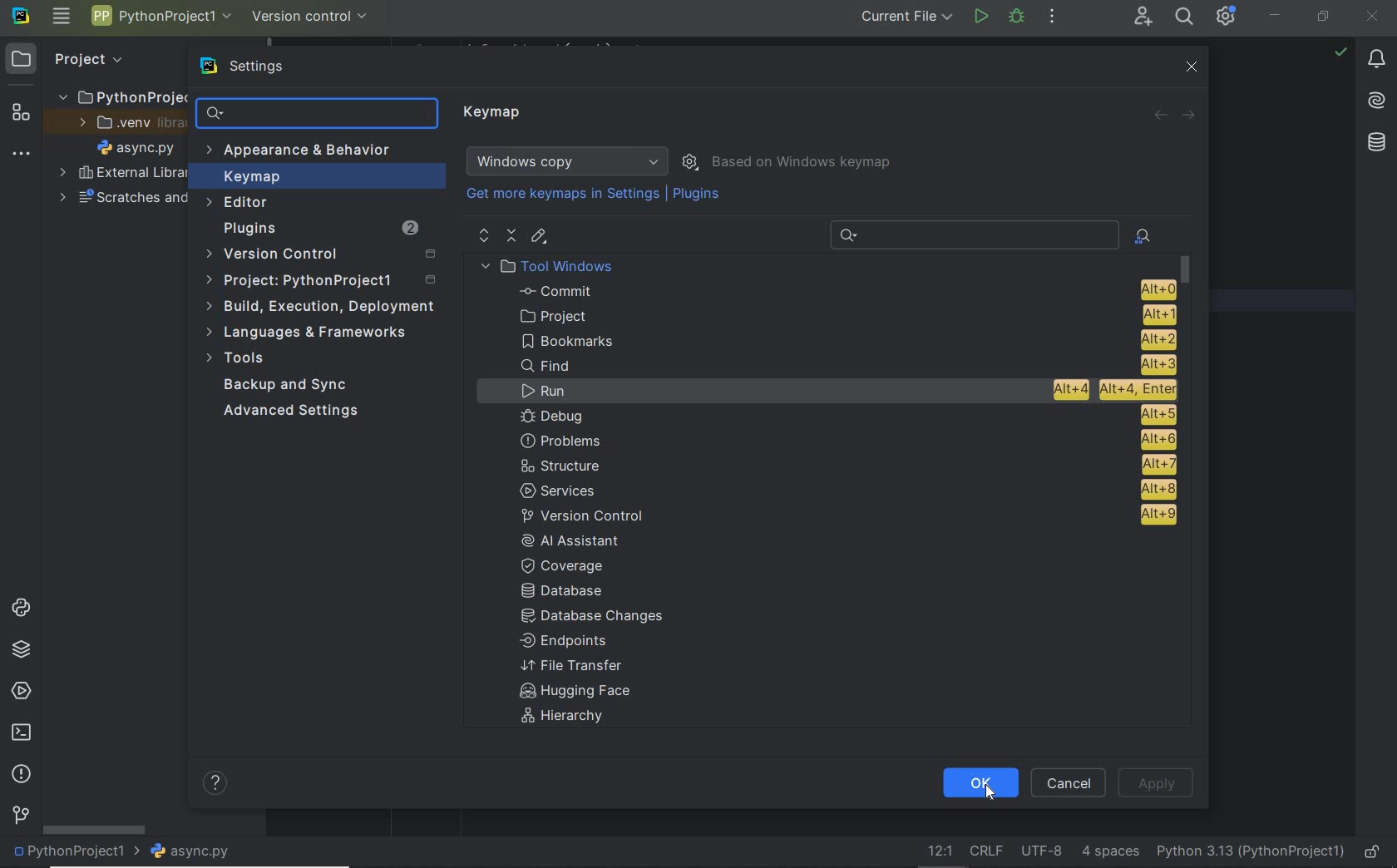  Describe the element at coordinates (846, 340) in the screenshot. I see `Bookmarks` at that location.